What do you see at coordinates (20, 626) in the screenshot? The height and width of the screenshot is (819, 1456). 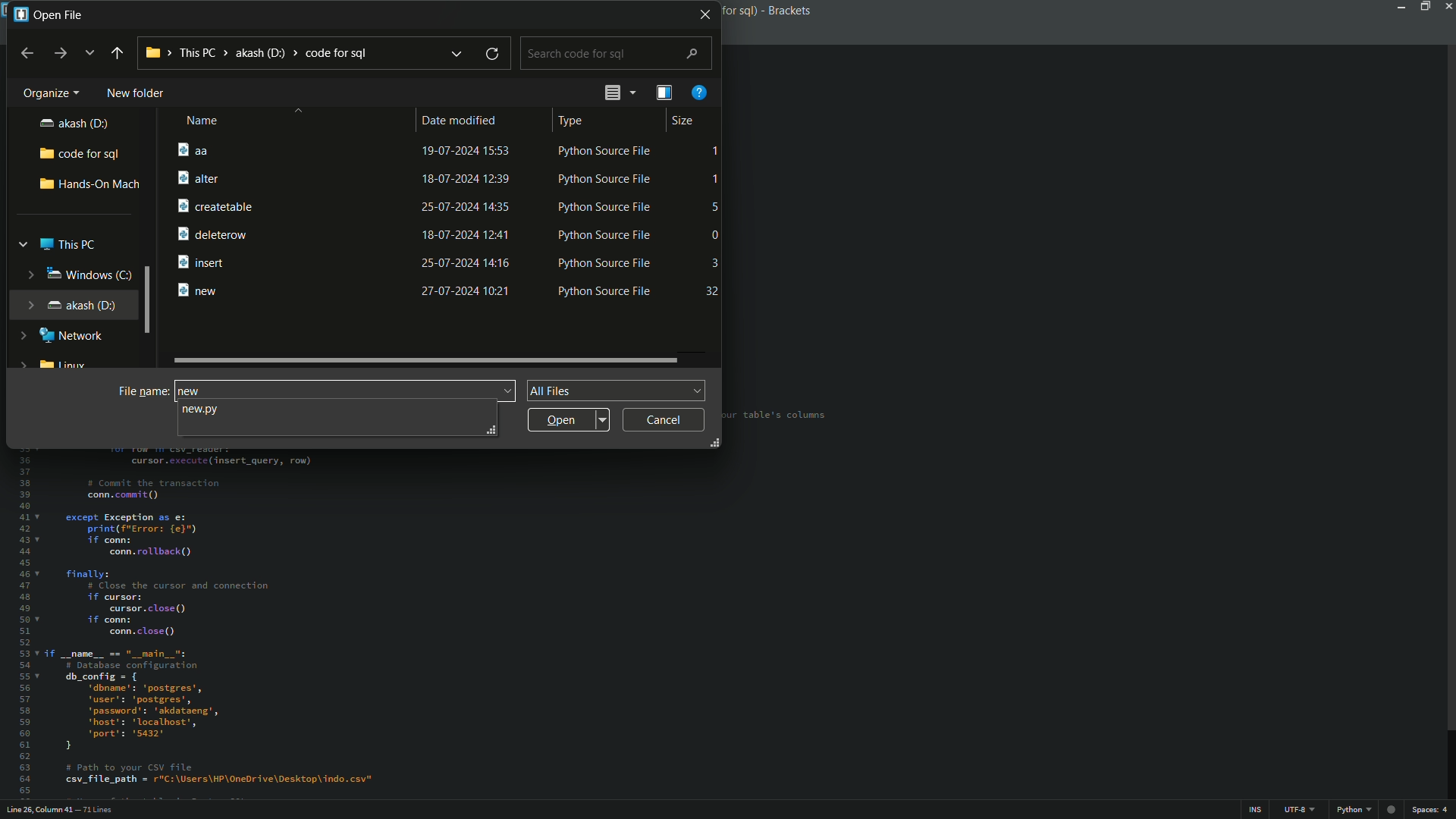 I see `line numbers` at bounding box center [20, 626].